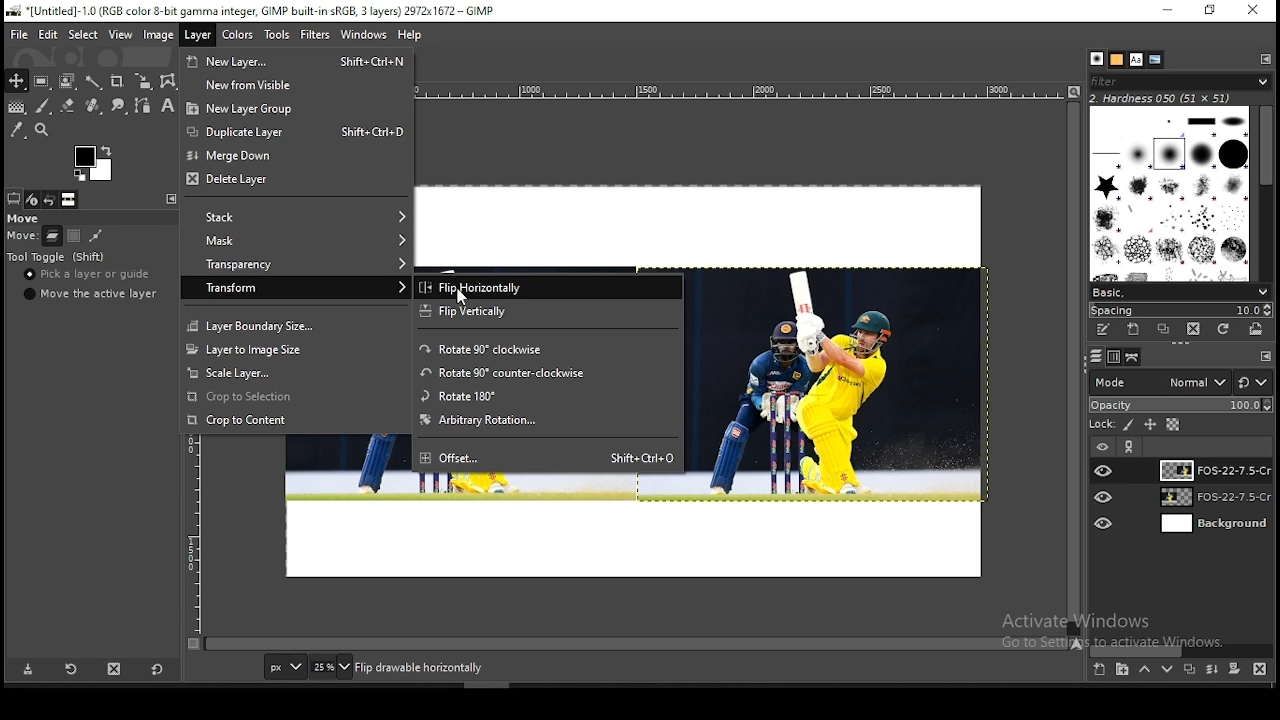 The image size is (1280, 720). I want to click on layer visibility on/off, so click(1101, 445).